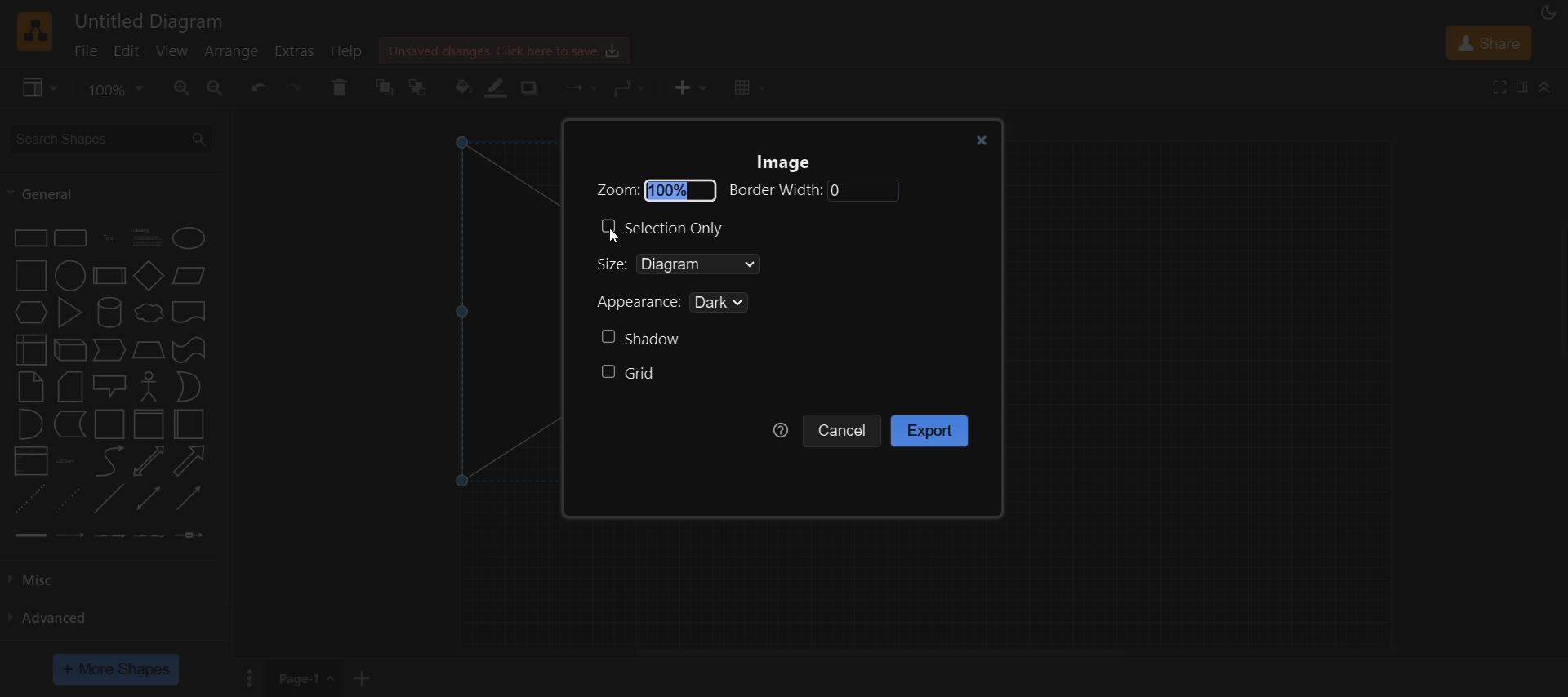  Describe the element at coordinates (719, 265) in the screenshot. I see `size` at that location.